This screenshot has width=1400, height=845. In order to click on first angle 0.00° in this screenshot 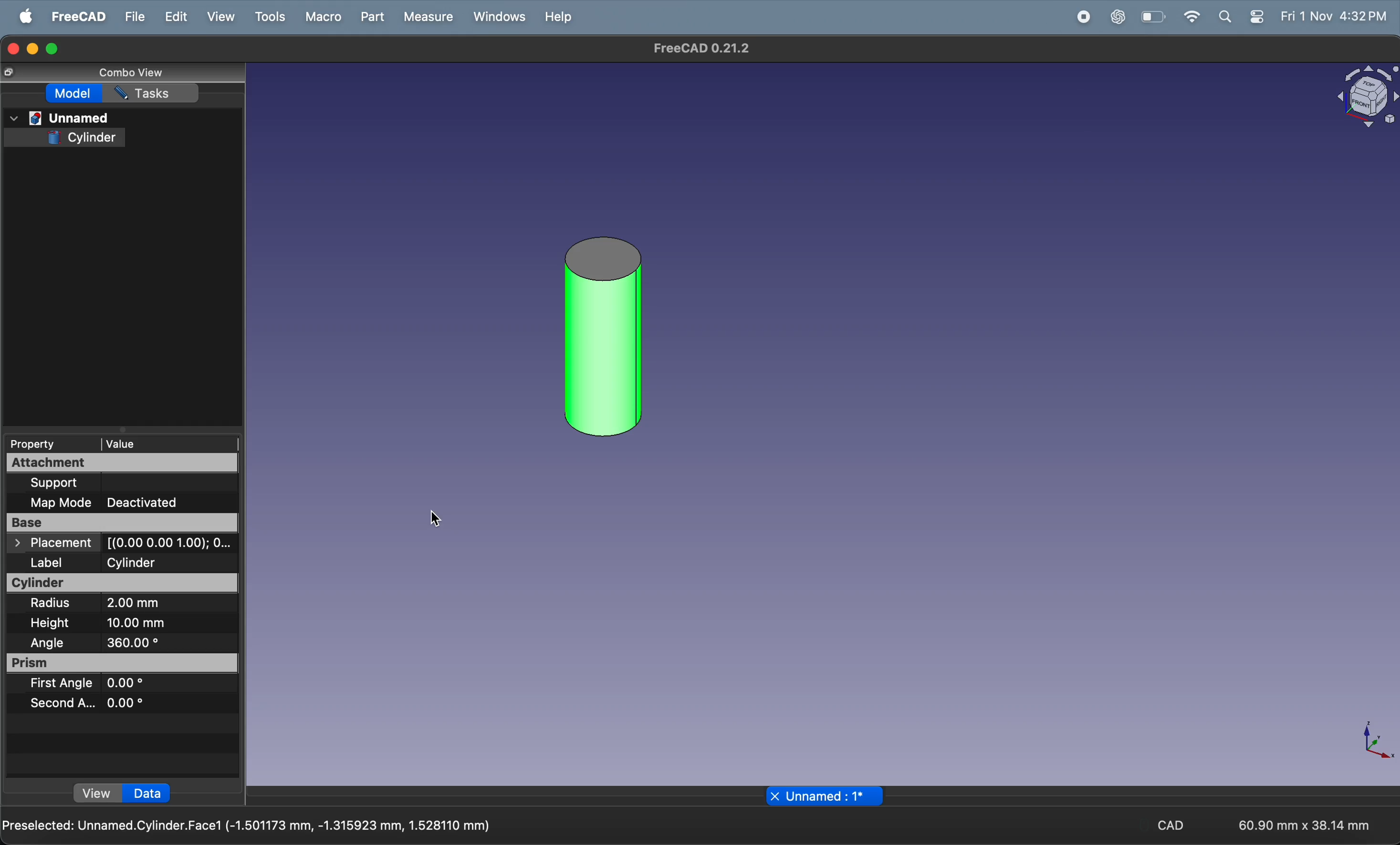, I will do `click(86, 684)`.